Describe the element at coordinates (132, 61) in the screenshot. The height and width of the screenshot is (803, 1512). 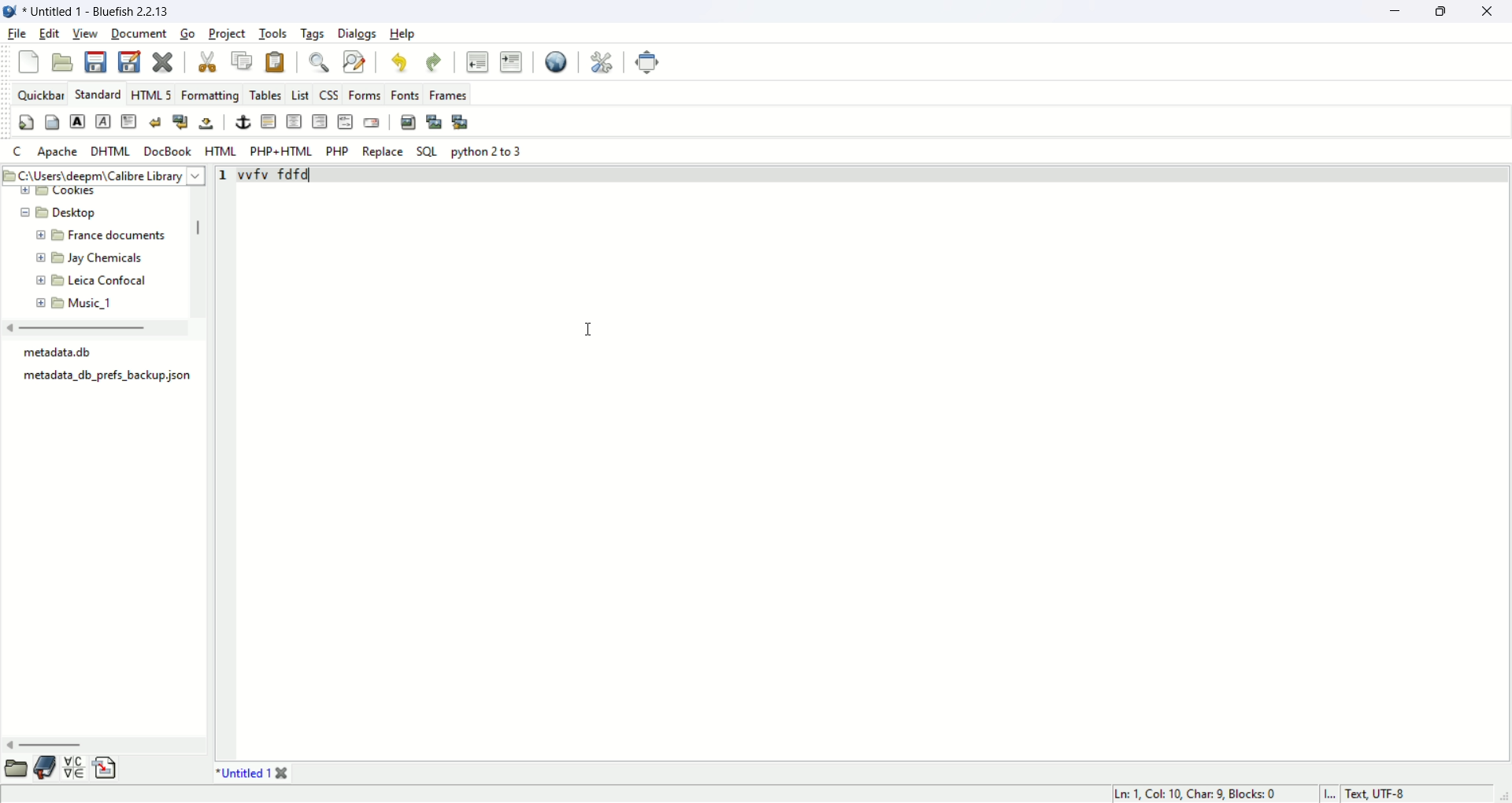
I see `save as` at that location.